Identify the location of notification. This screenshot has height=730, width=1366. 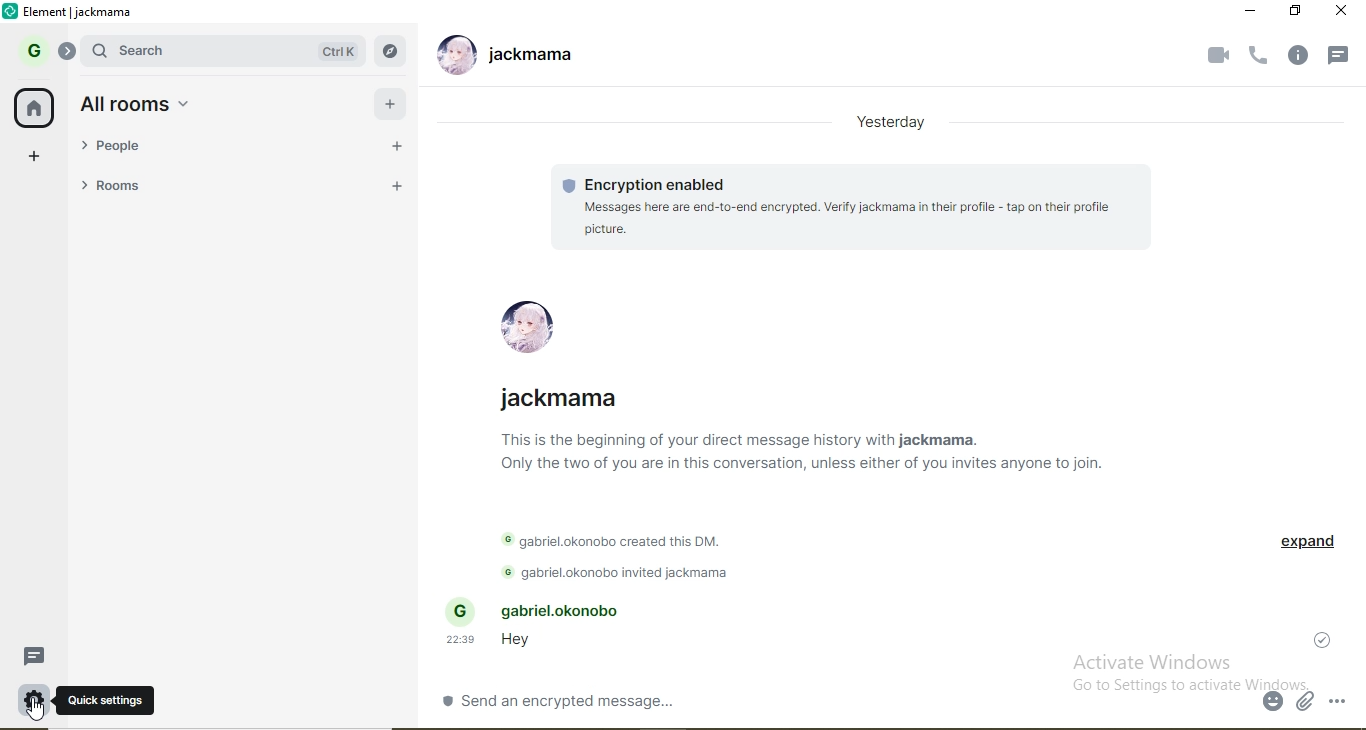
(1339, 57).